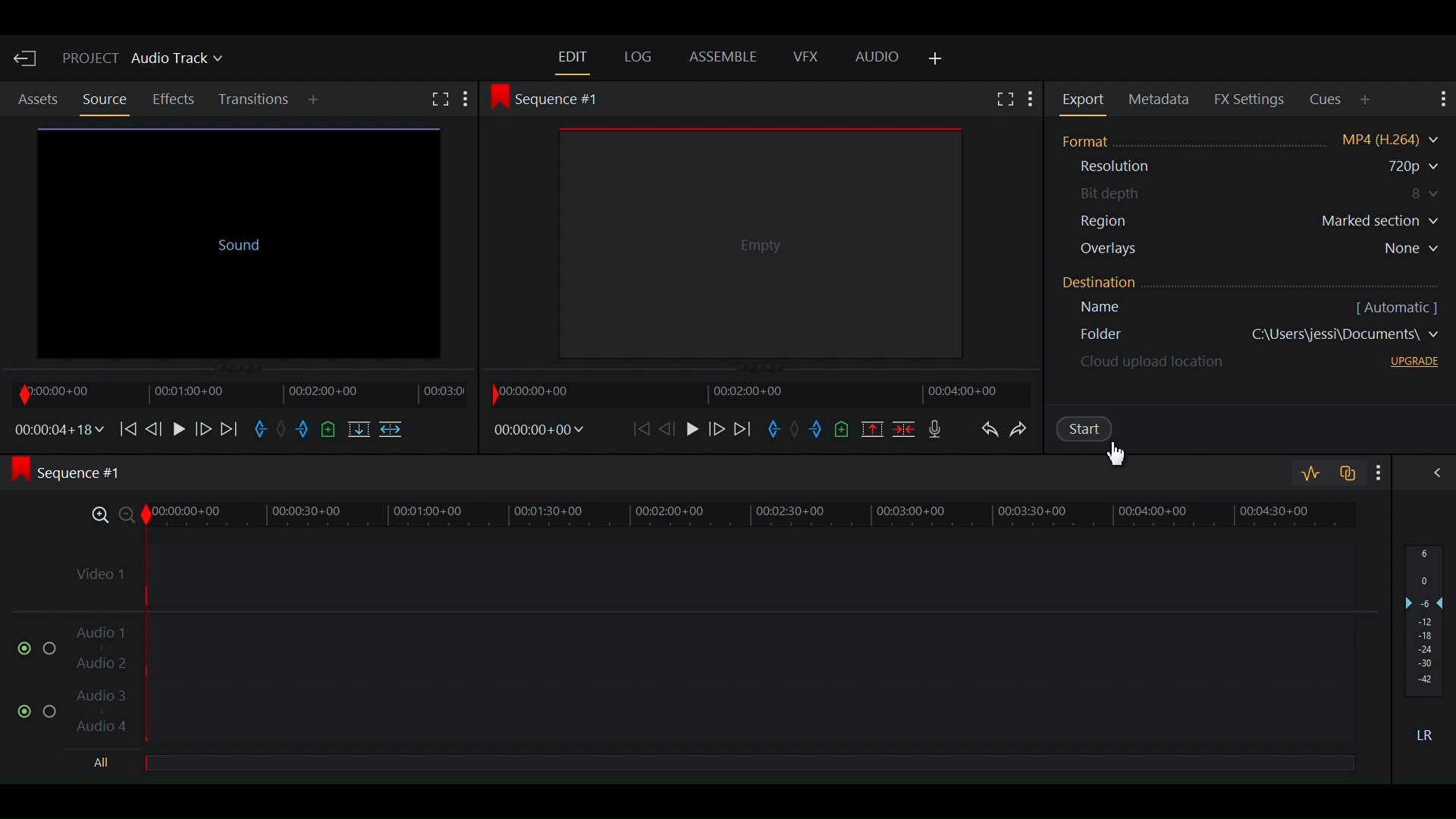  I want to click on Nudge one frame forward, so click(202, 428).